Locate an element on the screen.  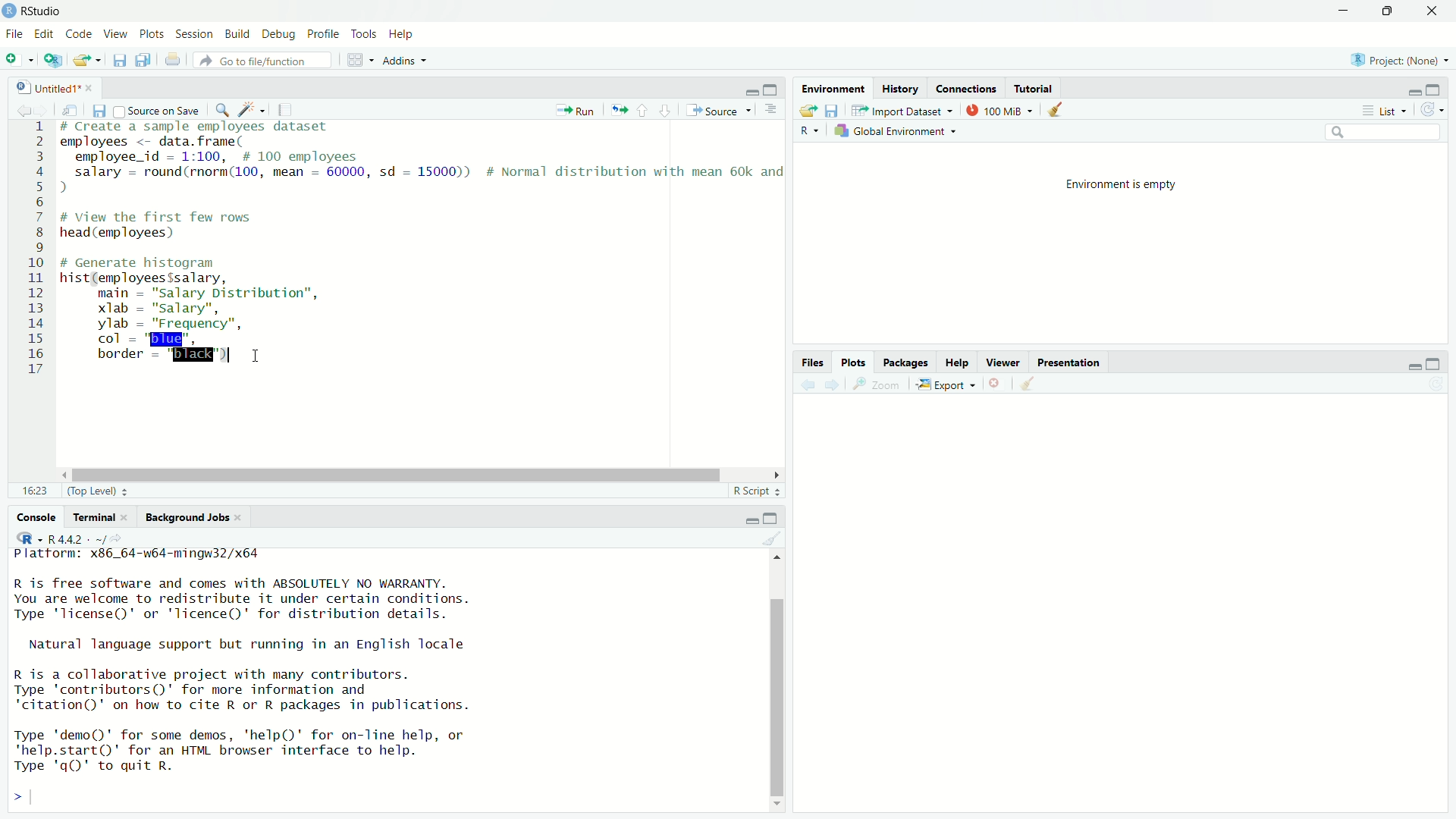
scroll right is located at coordinates (777, 475).